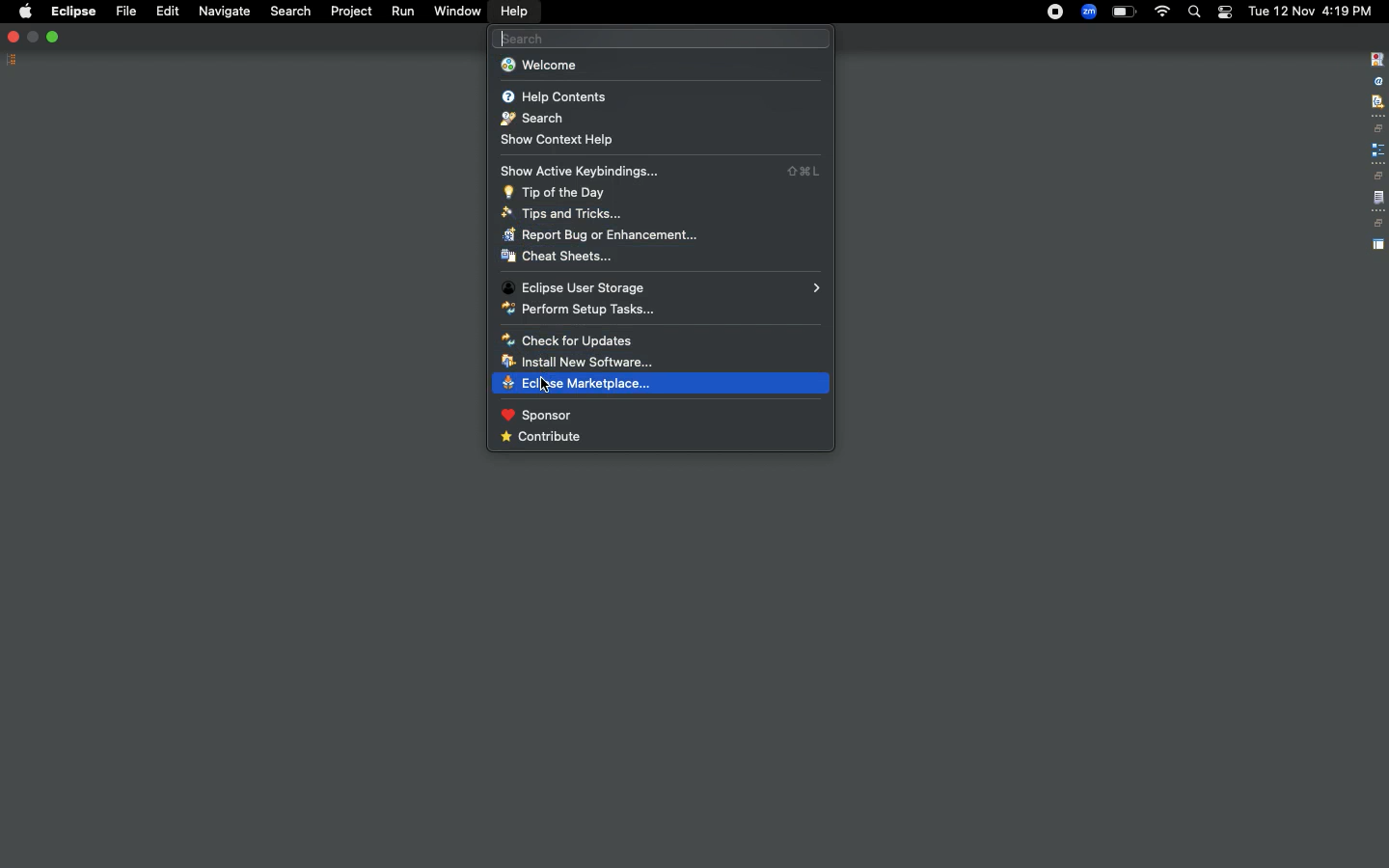  What do you see at coordinates (580, 361) in the screenshot?
I see `Install new software` at bounding box center [580, 361].